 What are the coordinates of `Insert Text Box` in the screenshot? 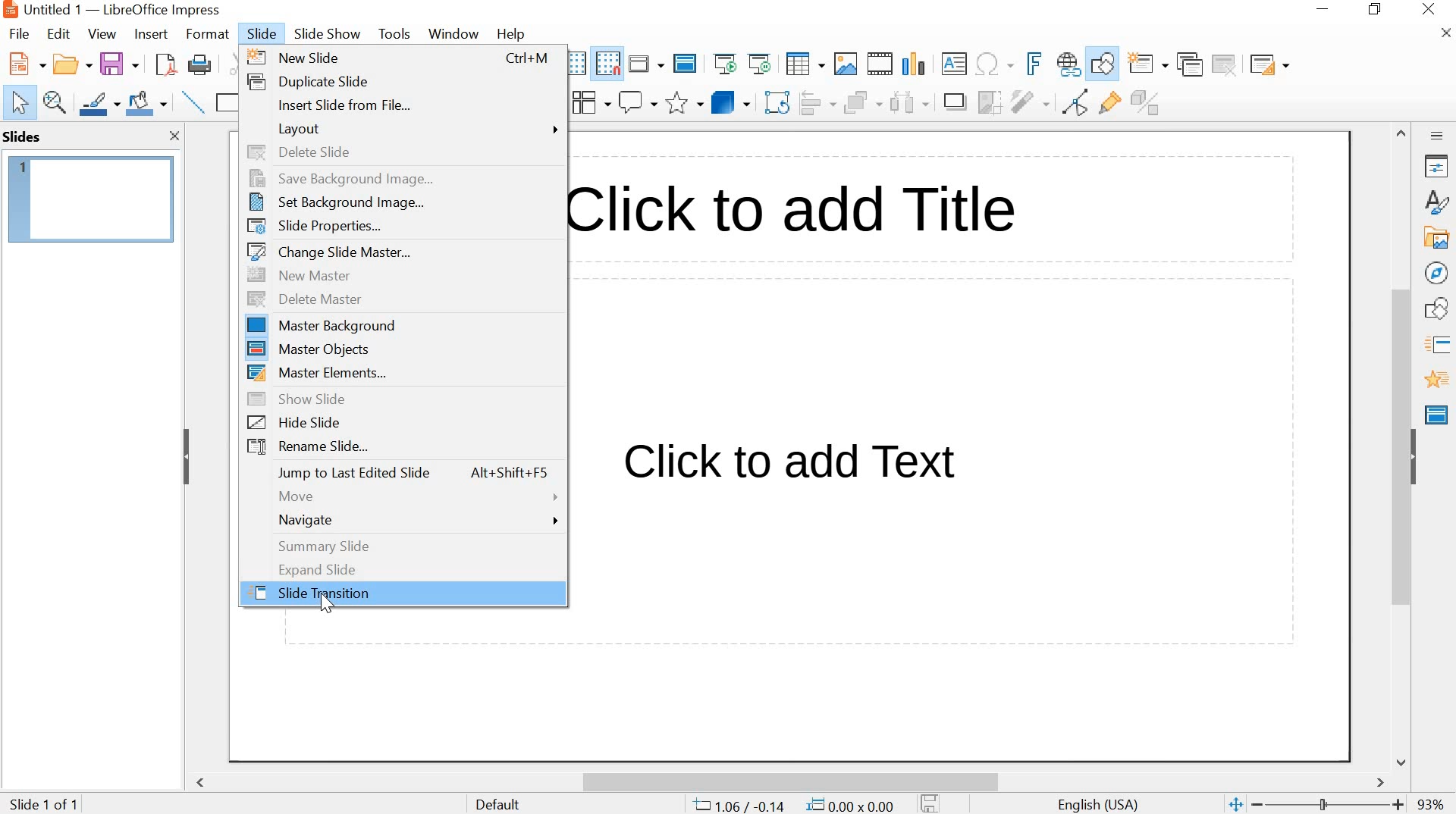 It's located at (954, 64).